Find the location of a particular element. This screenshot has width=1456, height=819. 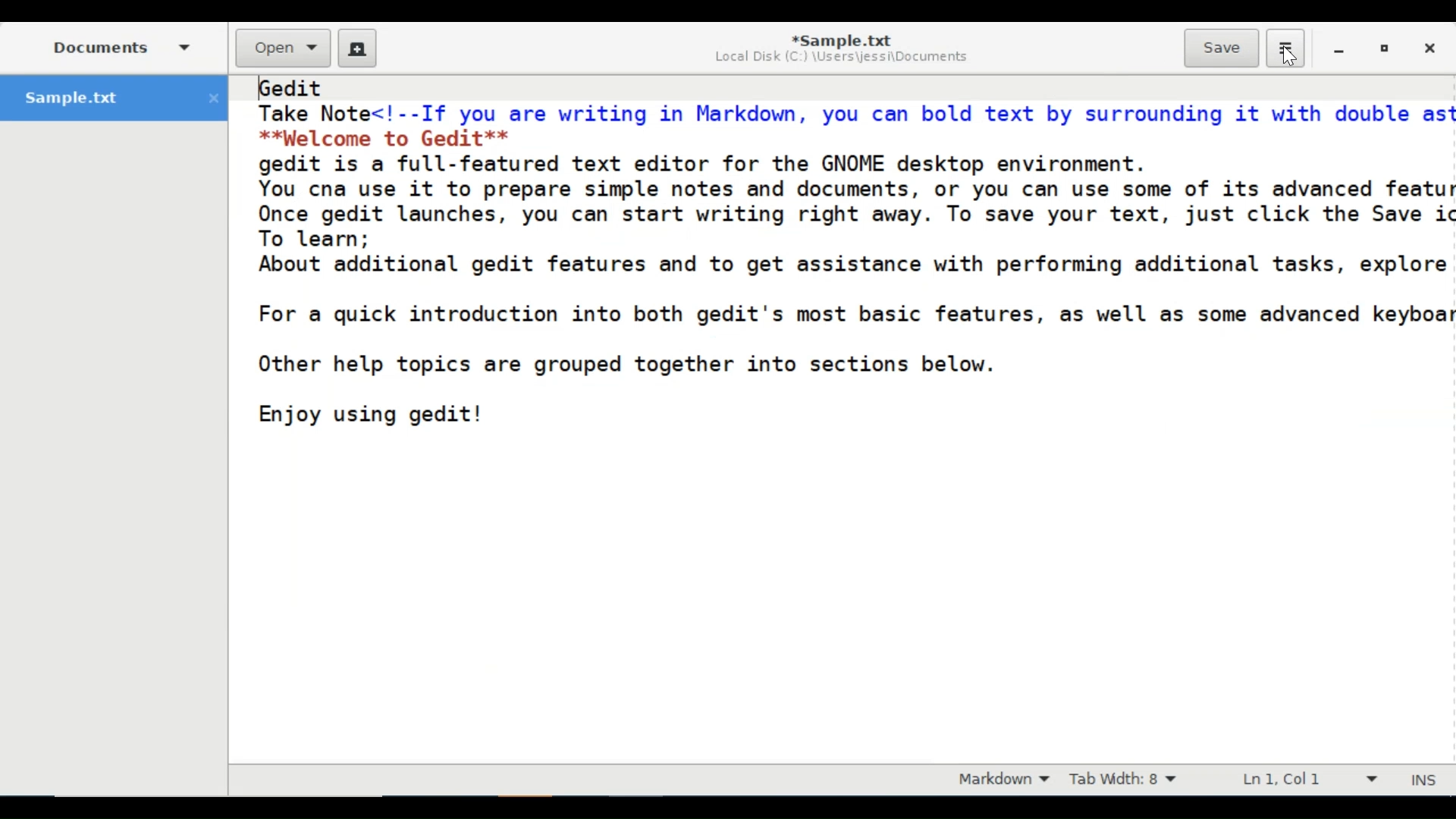

Markdown is located at coordinates (1005, 780).